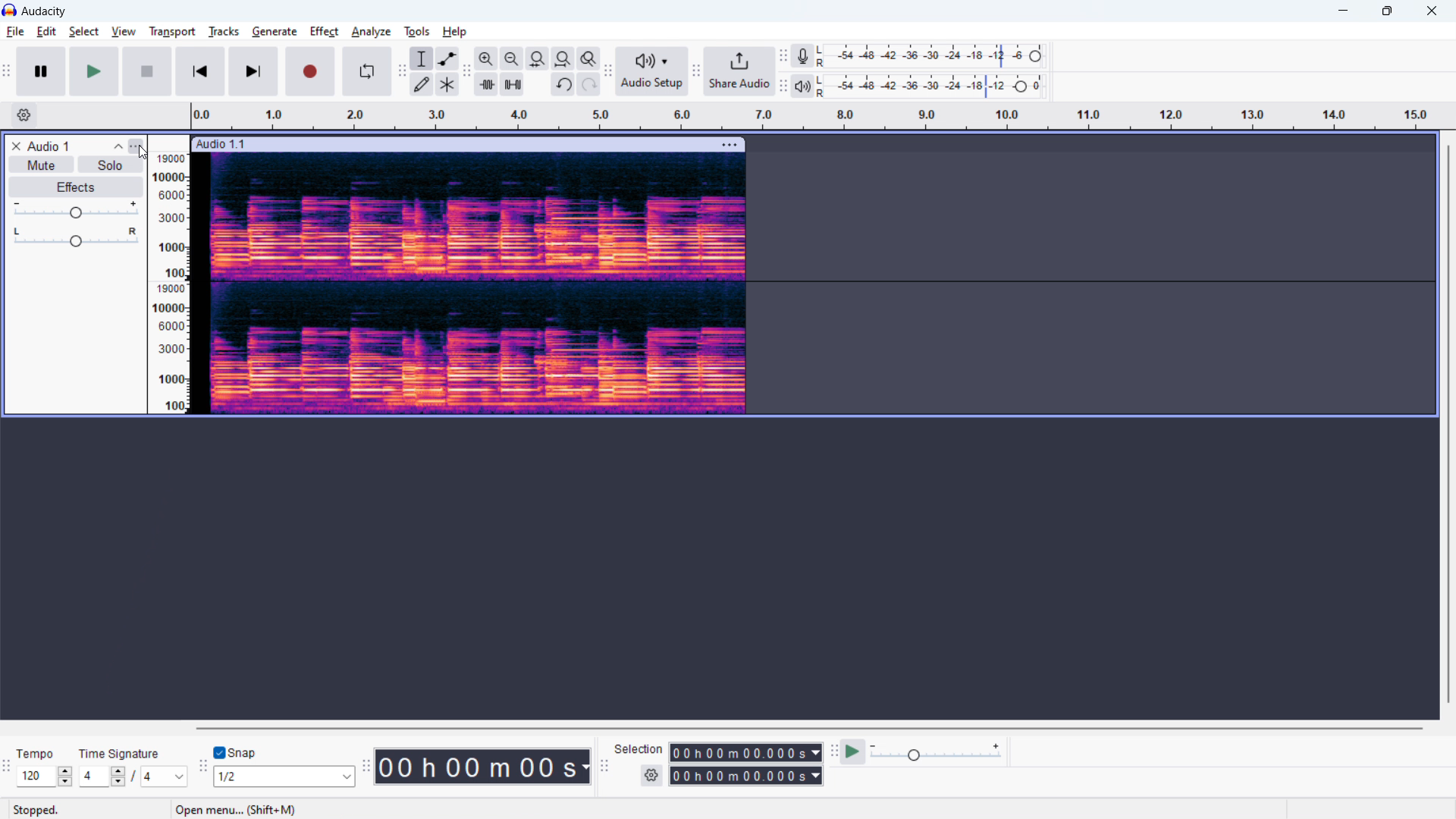  What do you see at coordinates (204, 767) in the screenshot?
I see `snapping toolbar` at bounding box center [204, 767].